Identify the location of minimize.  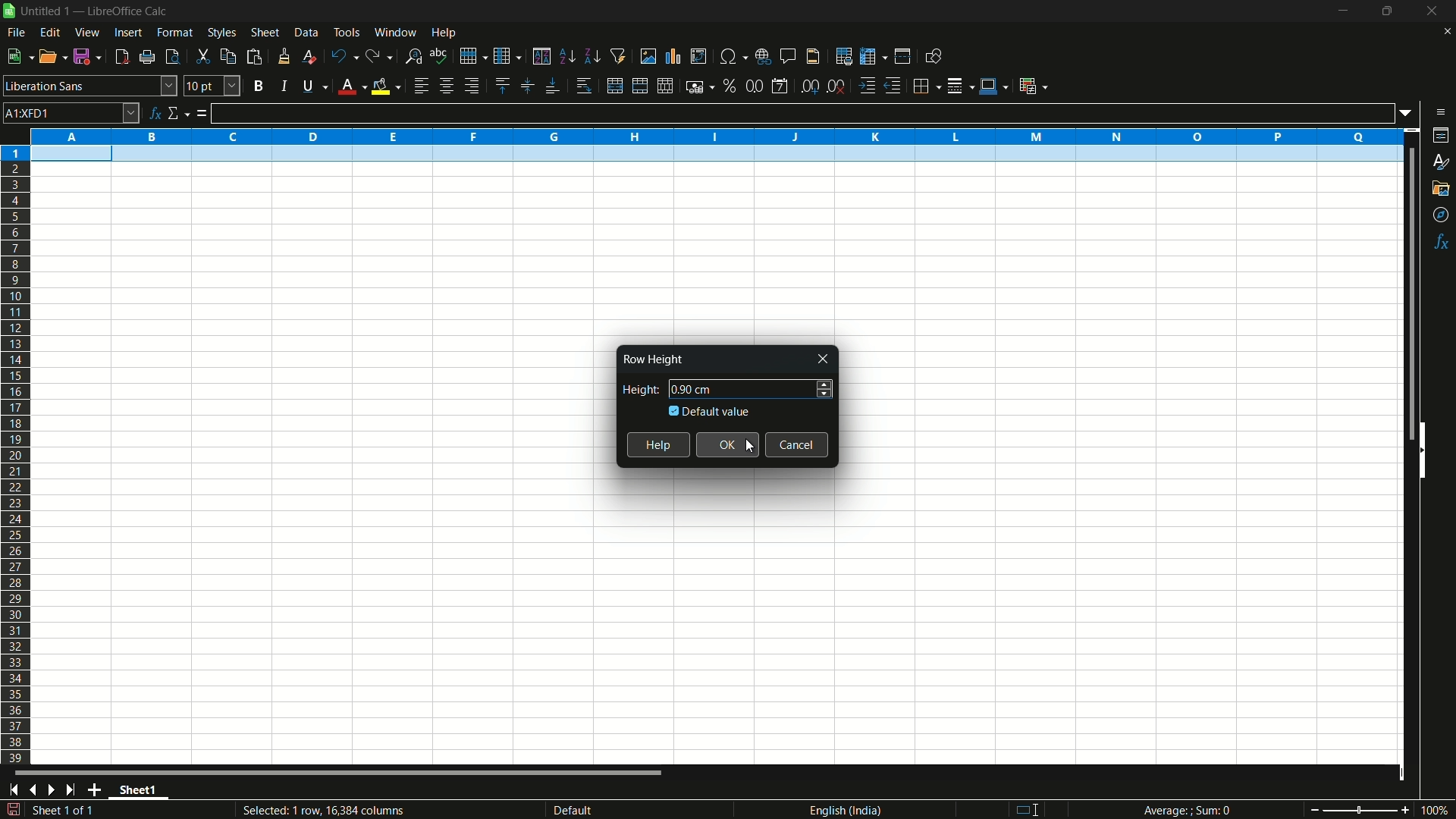
(1343, 11).